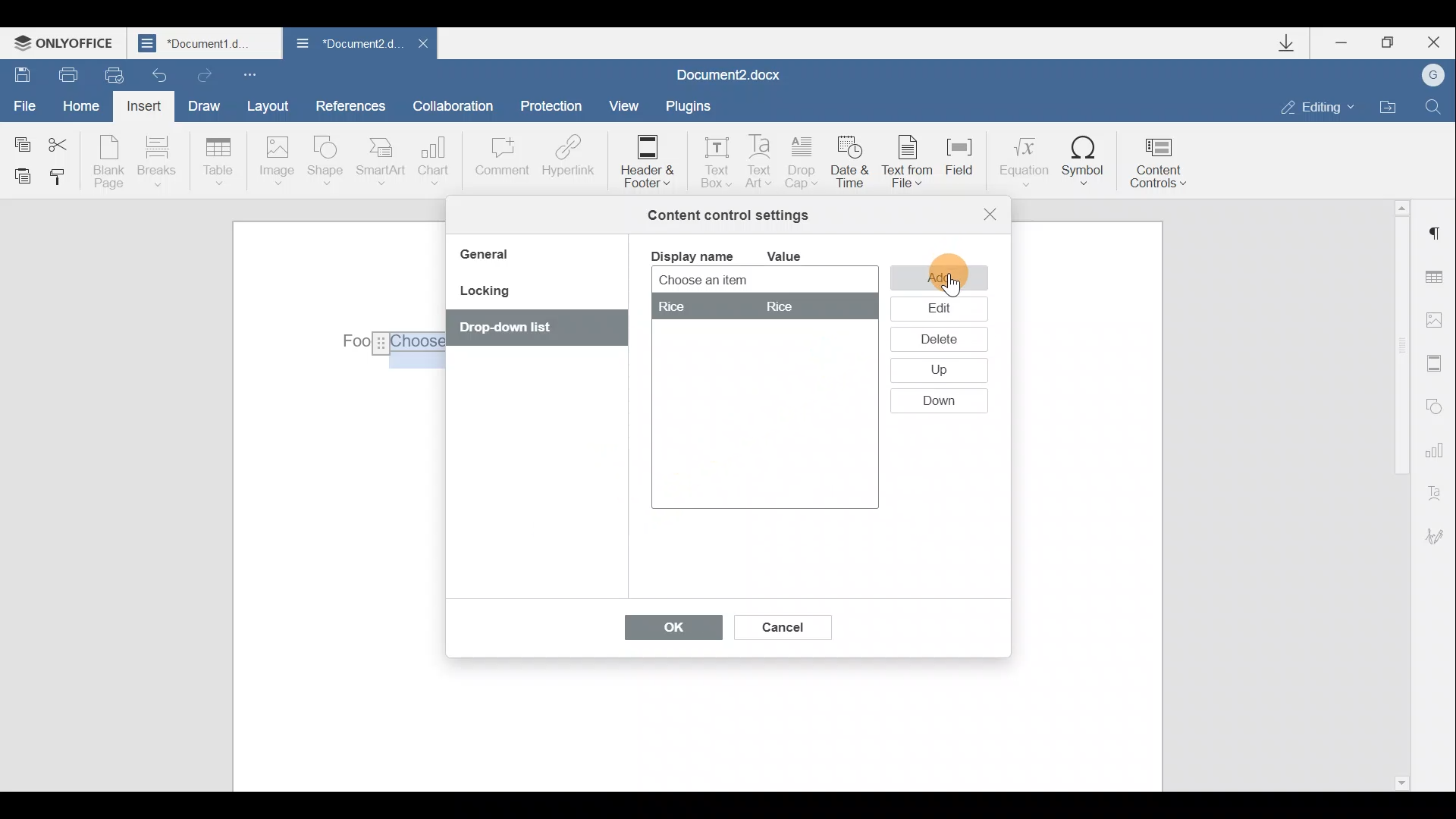 The image size is (1456, 819). Describe the element at coordinates (565, 158) in the screenshot. I see `Hyperlink` at that location.